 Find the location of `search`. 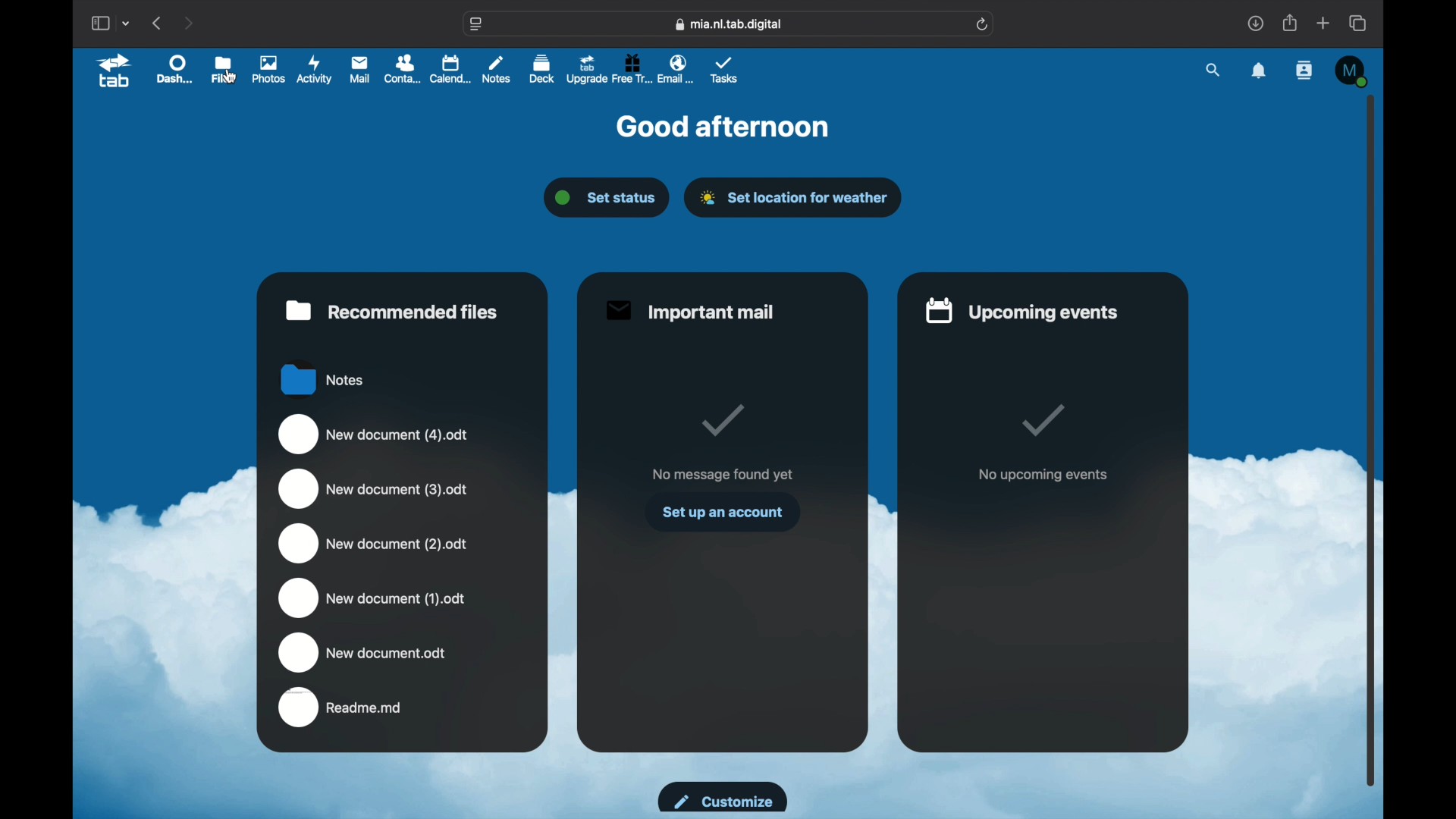

search is located at coordinates (1214, 70).